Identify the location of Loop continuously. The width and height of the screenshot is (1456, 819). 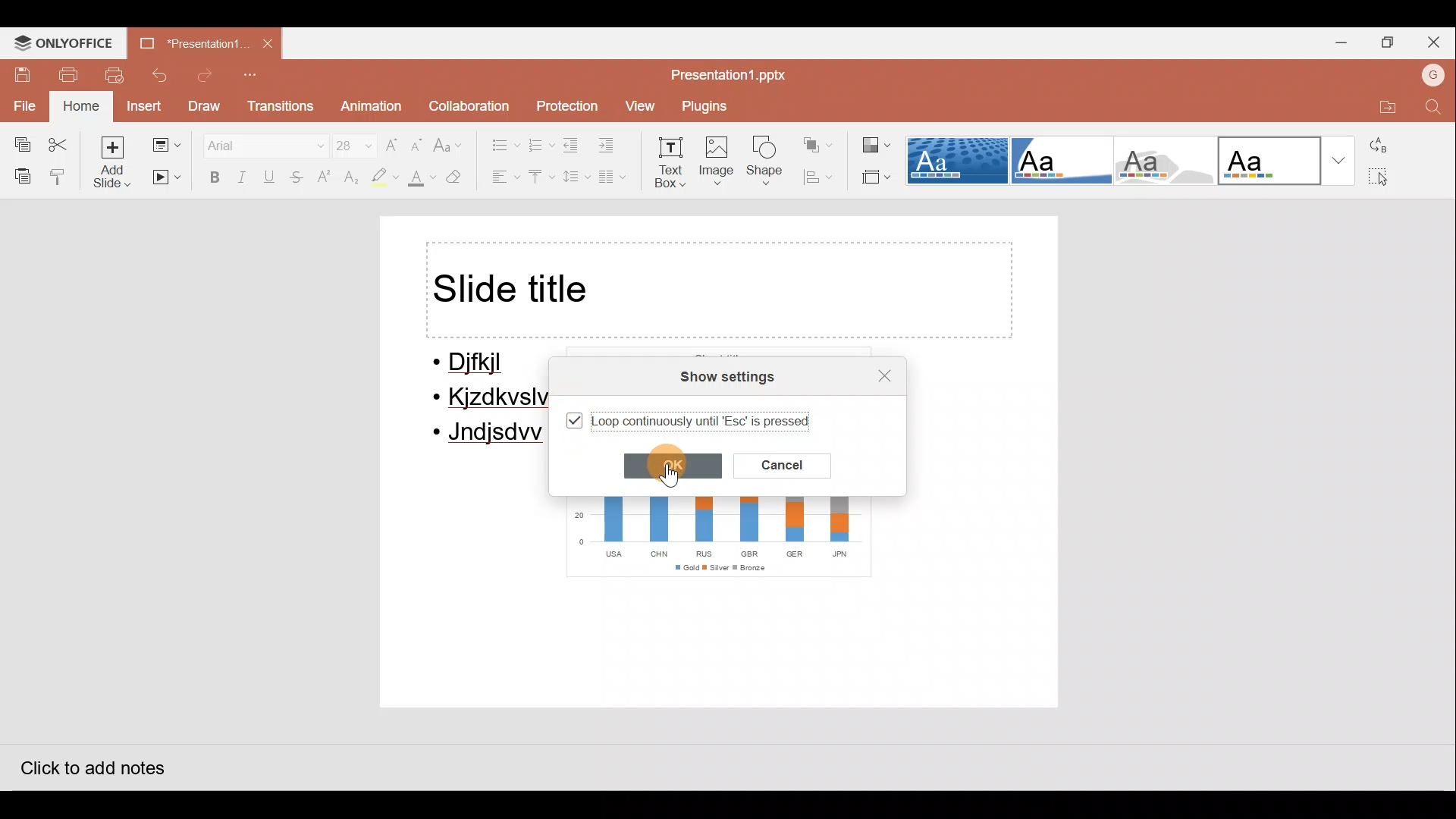
(700, 421).